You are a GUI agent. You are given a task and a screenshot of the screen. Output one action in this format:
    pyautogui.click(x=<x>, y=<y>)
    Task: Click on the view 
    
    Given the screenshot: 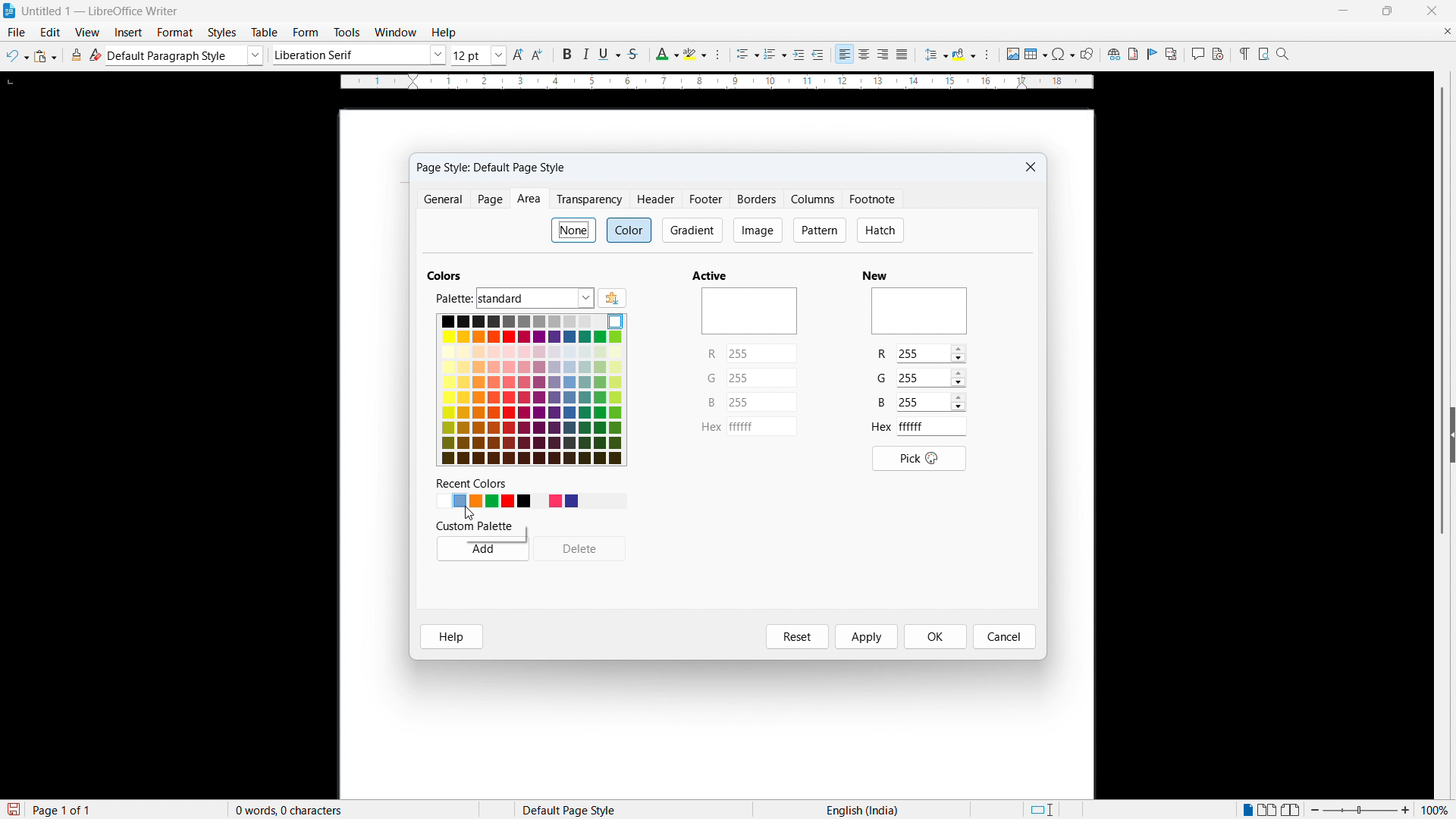 What is the action you would take?
    pyautogui.click(x=88, y=33)
    